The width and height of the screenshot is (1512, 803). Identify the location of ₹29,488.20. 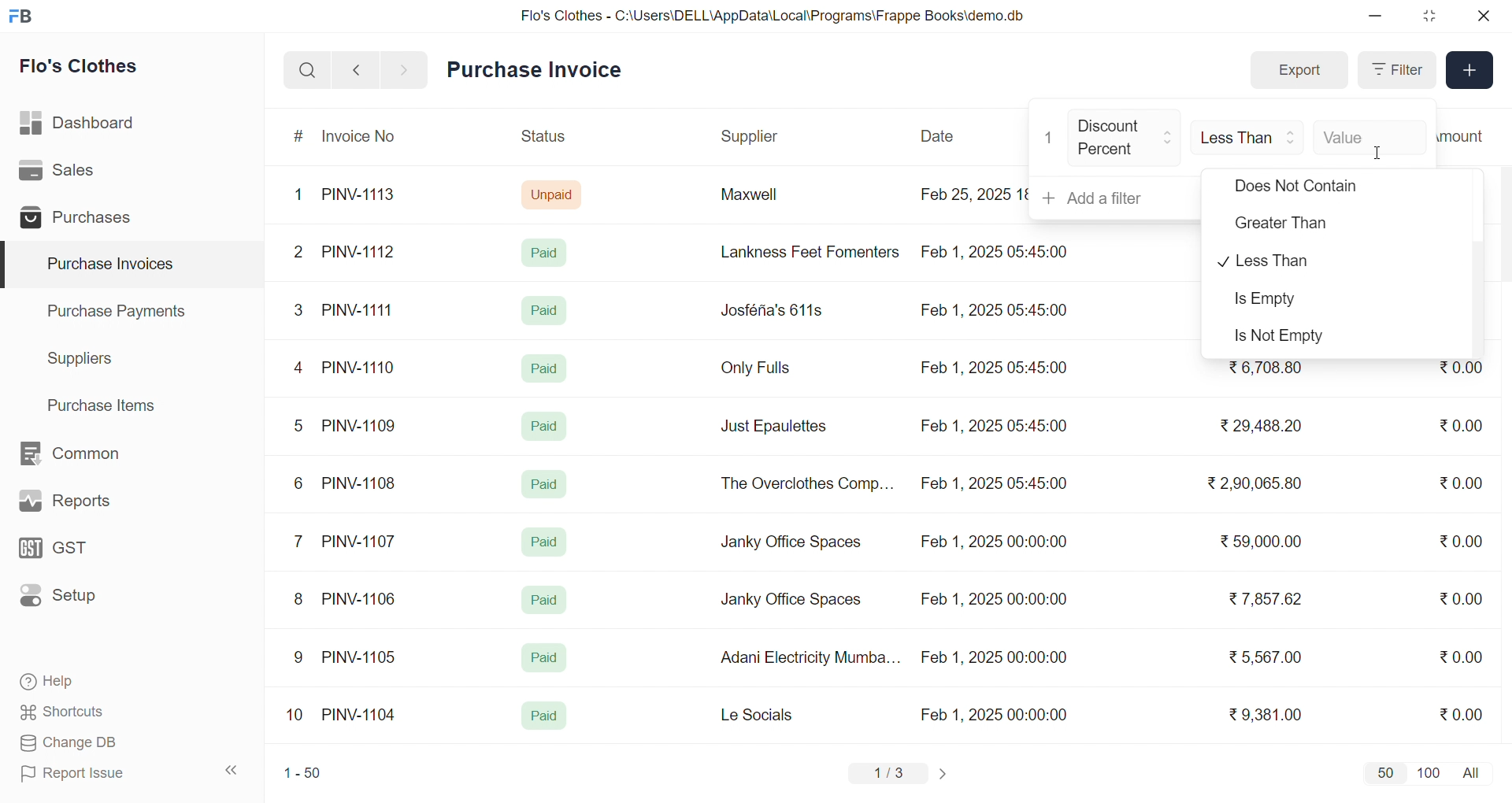
(1256, 426).